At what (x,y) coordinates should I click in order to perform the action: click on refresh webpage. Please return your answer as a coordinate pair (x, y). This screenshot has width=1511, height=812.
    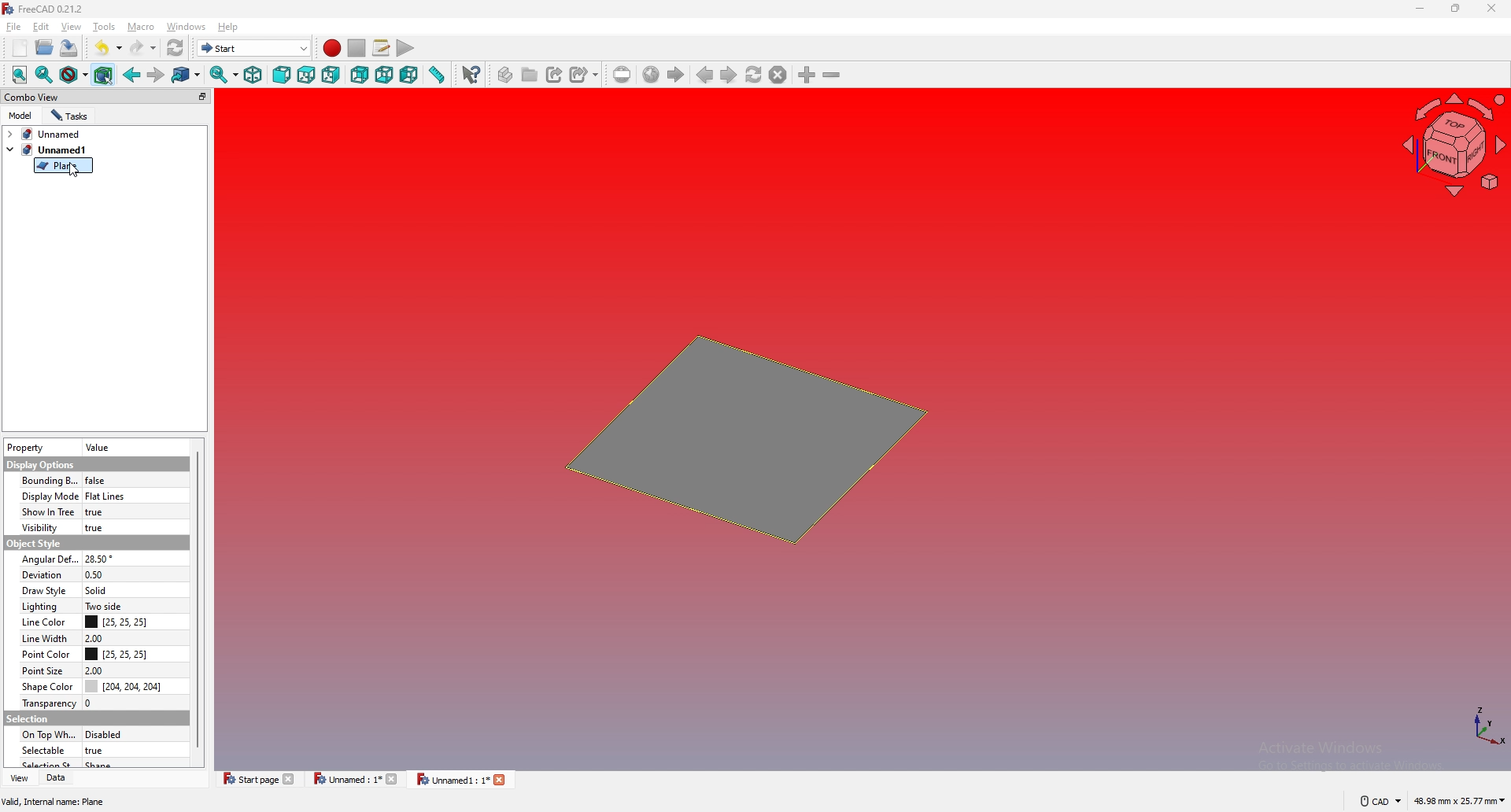
    Looking at the image, I should click on (754, 74).